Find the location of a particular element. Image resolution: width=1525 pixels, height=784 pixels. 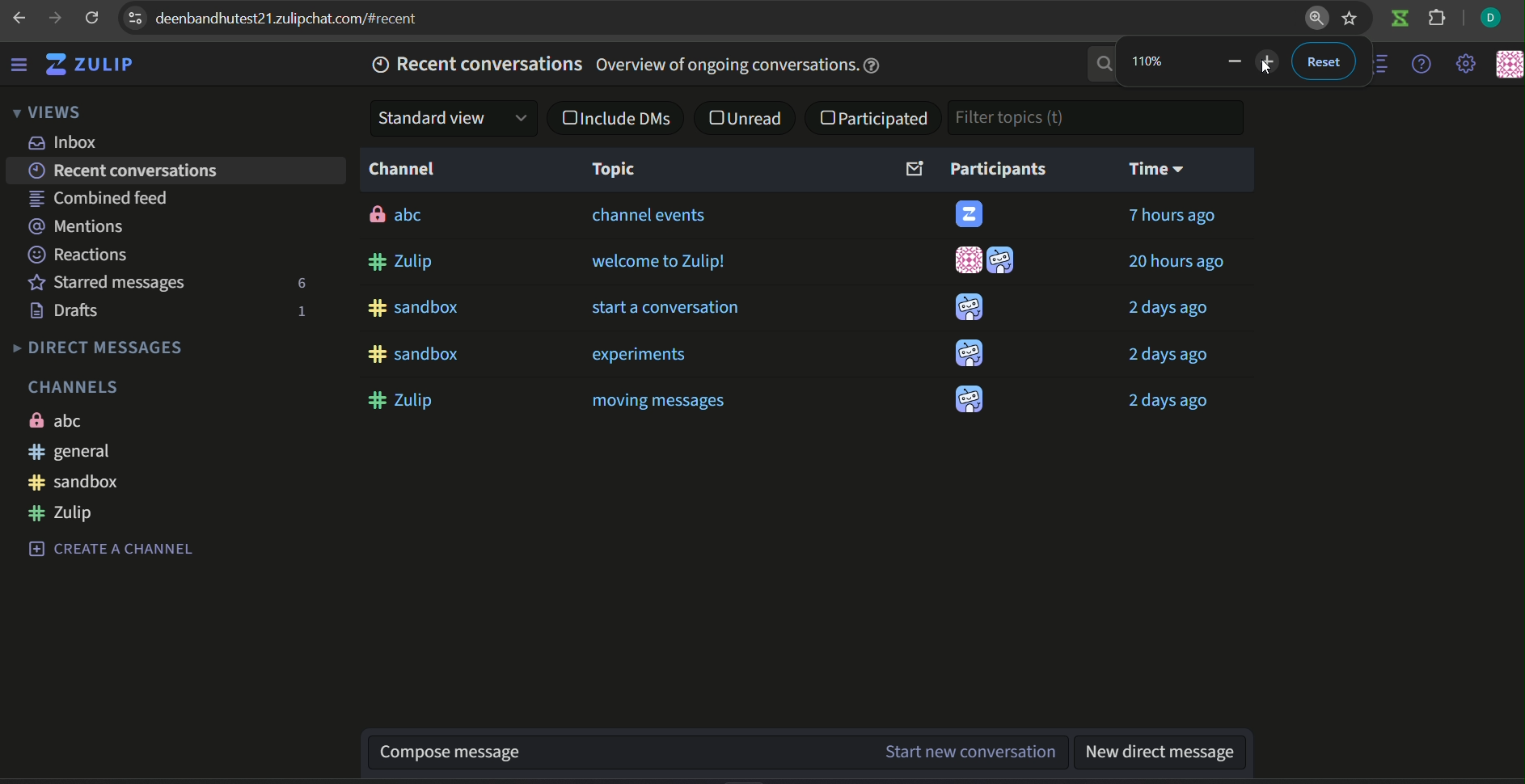

options is located at coordinates (134, 16).